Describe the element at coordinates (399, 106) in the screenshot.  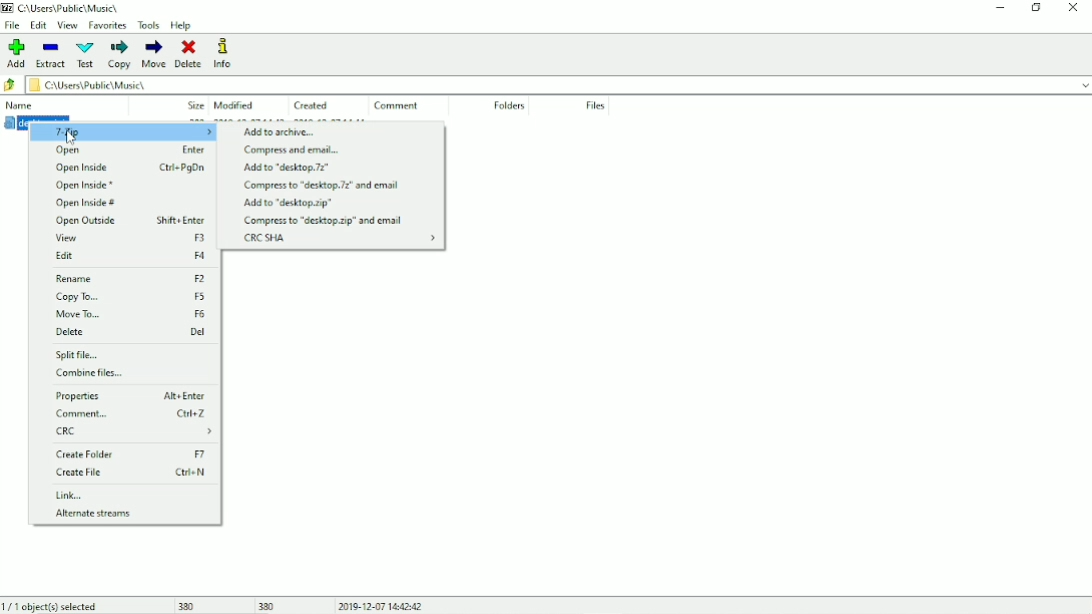
I see `Comment` at that location.